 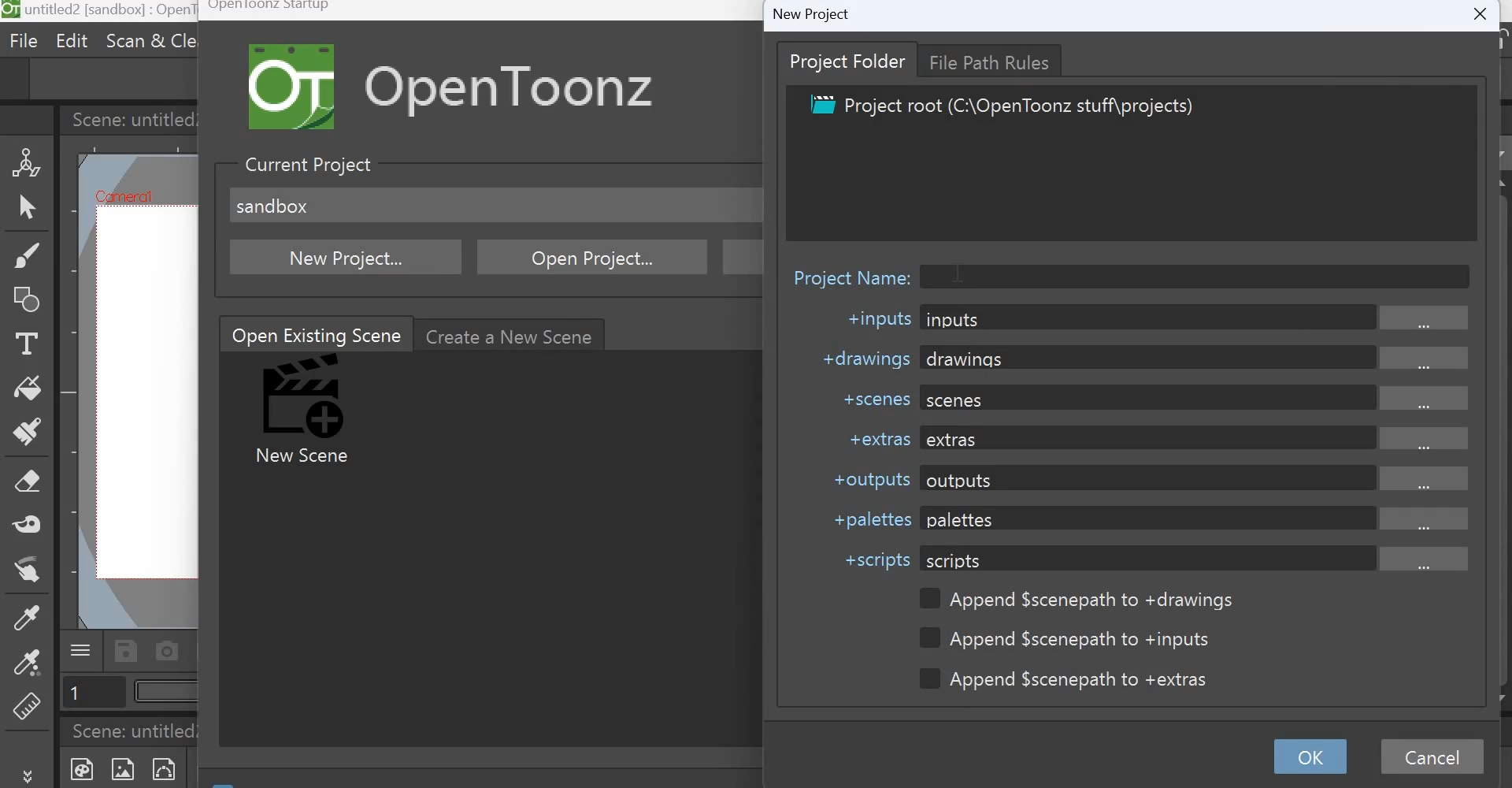 I want to click on untitled 2[sandbox] : OpenToonz, so click(x=100, y=12).